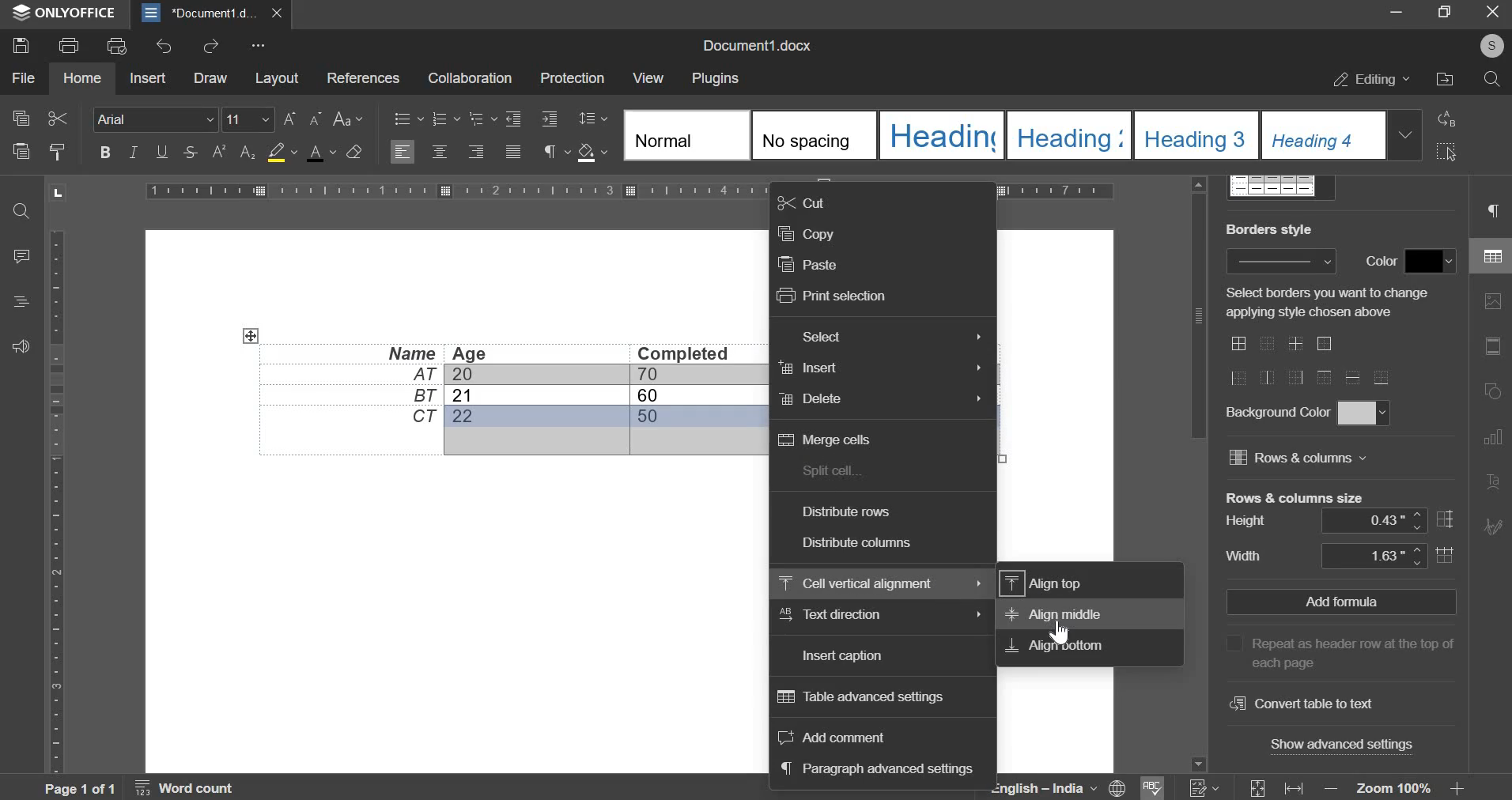 The image size is (1512, 800). Describe the element at coordinates (188, 152) in the screenshot. I see `stroke through` at that location.